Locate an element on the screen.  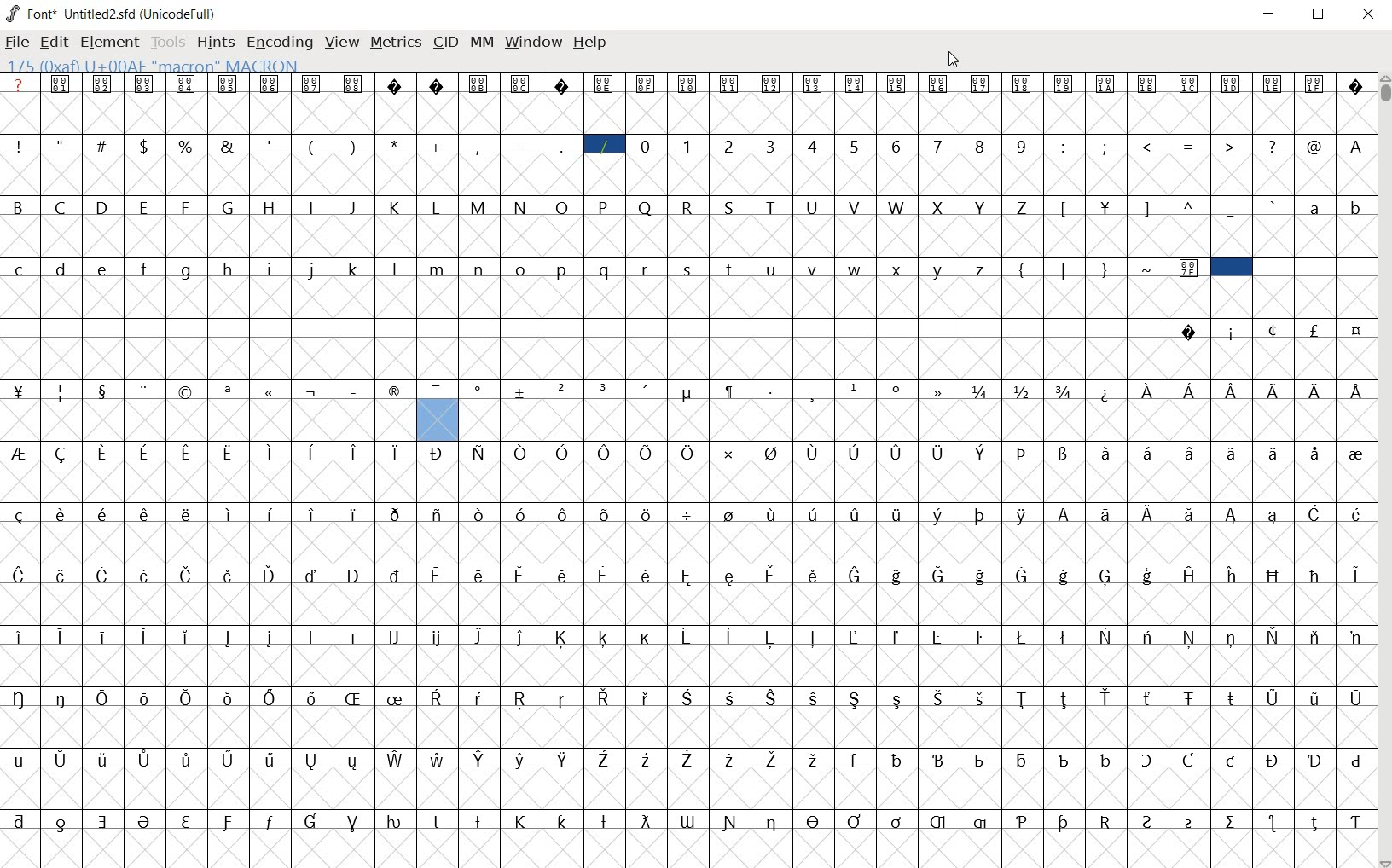
Symbol is located at coordinates (312, 84).